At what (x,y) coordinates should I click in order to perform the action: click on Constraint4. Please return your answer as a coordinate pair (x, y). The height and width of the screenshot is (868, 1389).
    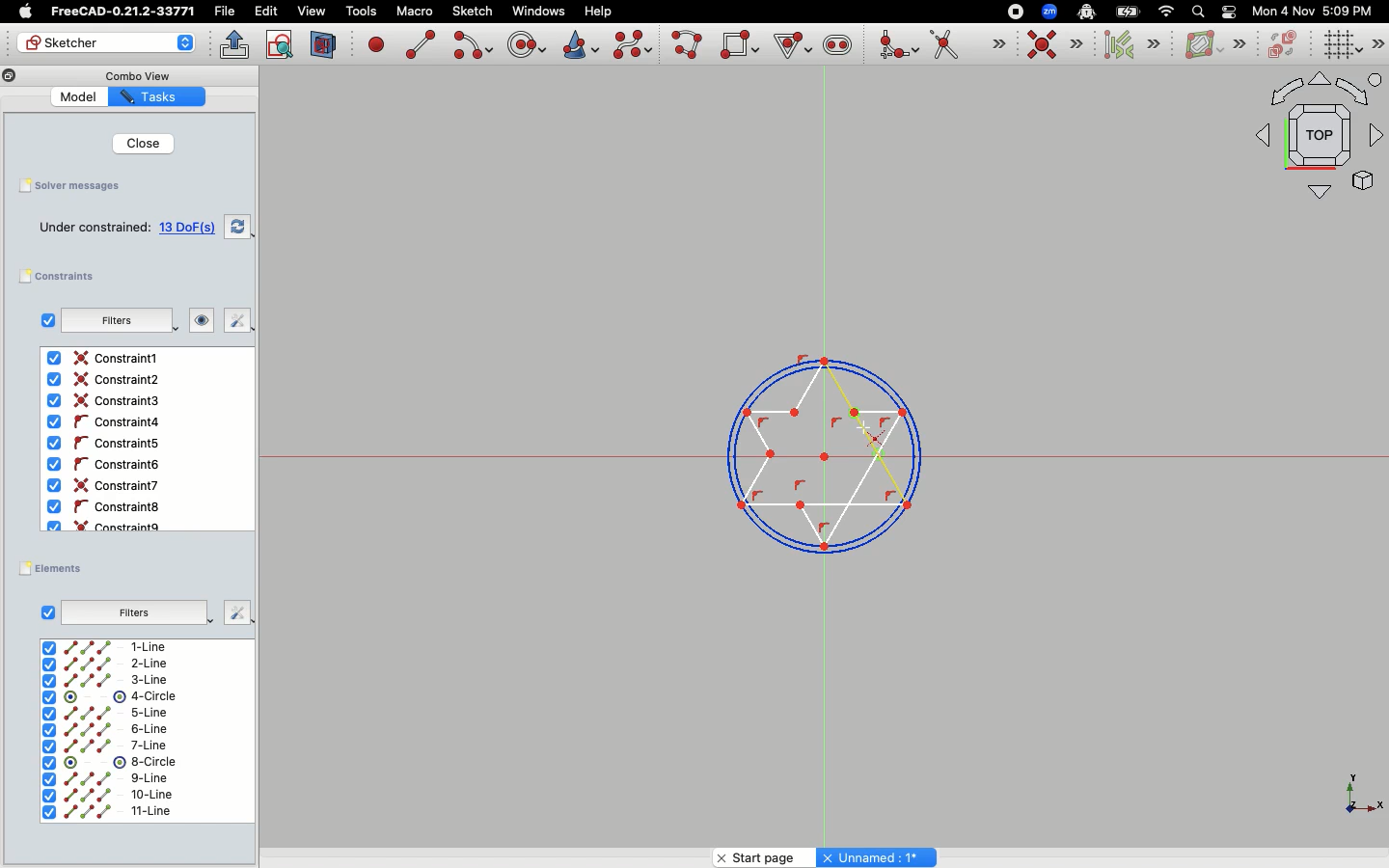
    Looking at the image, I should click on (101, 422).